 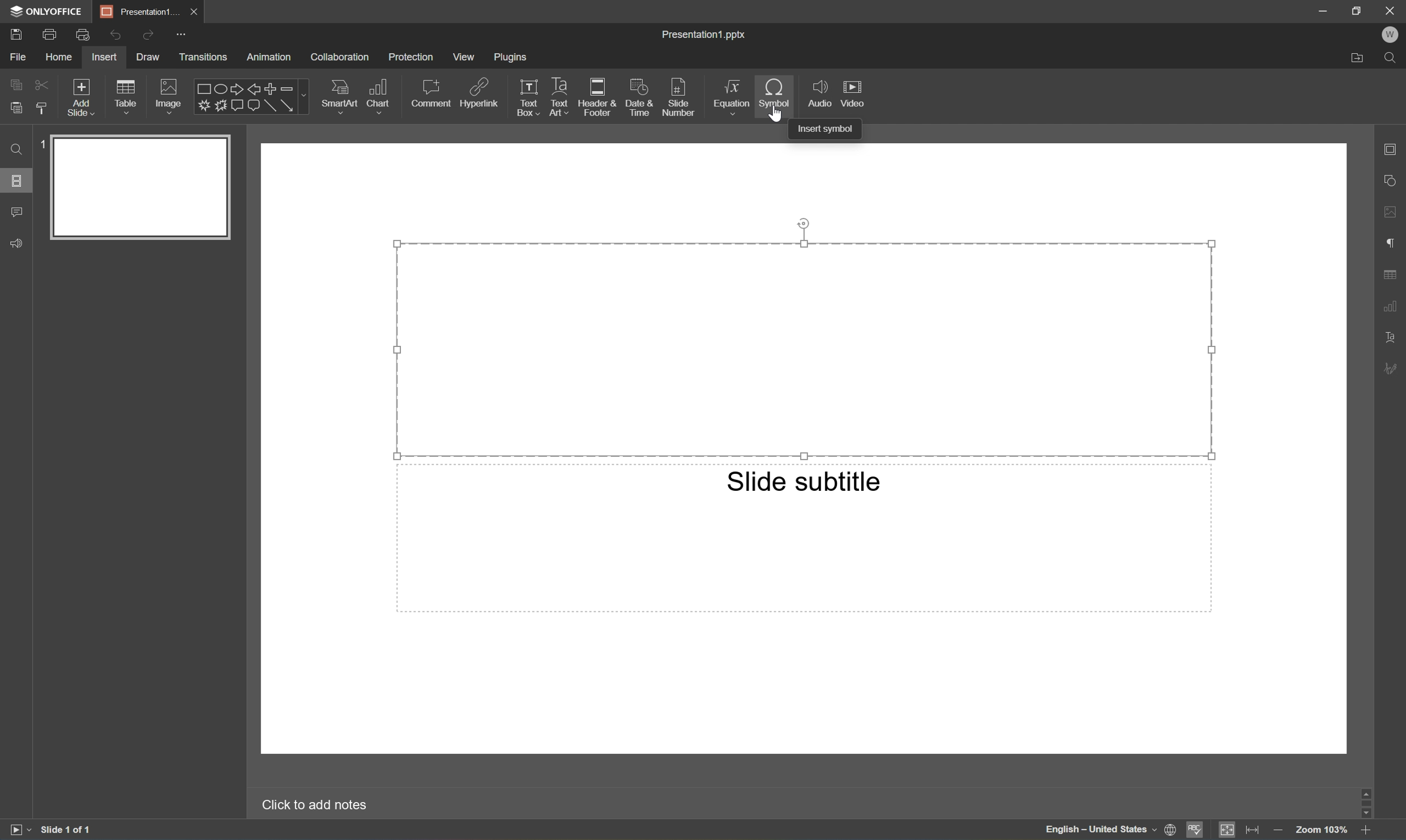 What do you see at coordinates (342, 96) in the screenshot?
I see `SmartArt` at bounding box center [342, 96].